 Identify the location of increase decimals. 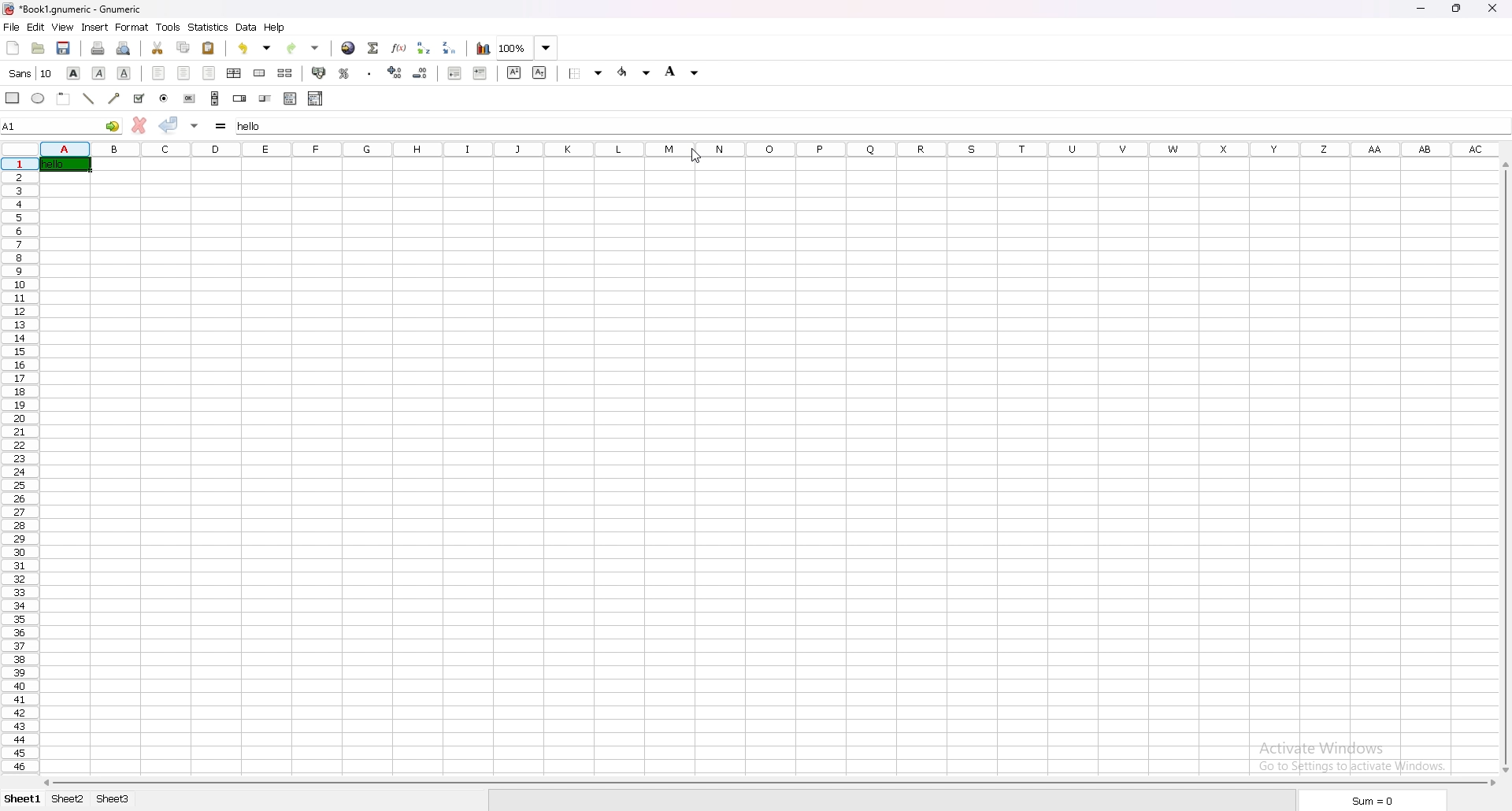
(396, 72).